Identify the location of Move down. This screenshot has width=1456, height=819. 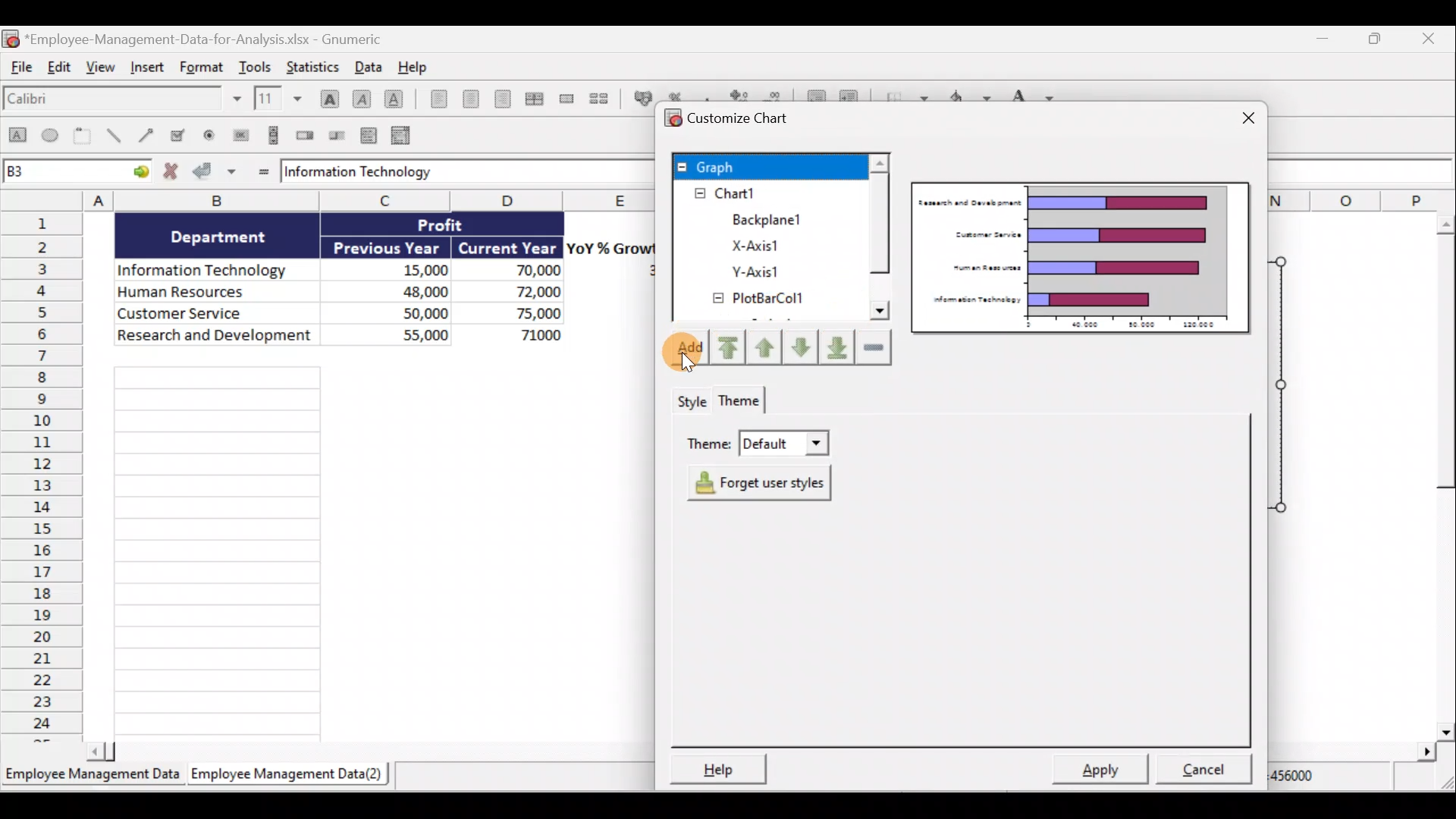
(802, 350).